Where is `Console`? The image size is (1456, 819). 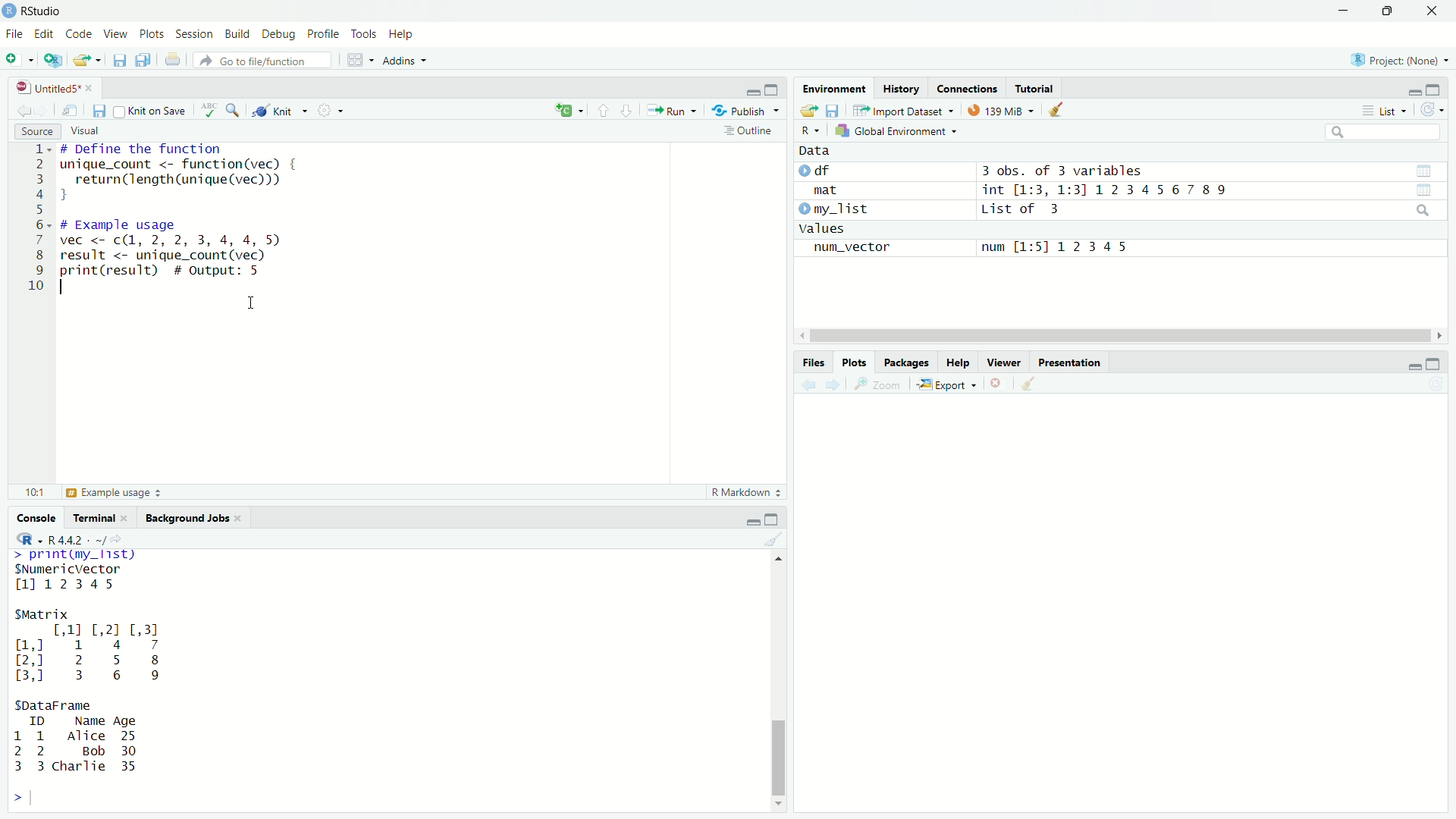
Console is located at coordinates (38, 517).